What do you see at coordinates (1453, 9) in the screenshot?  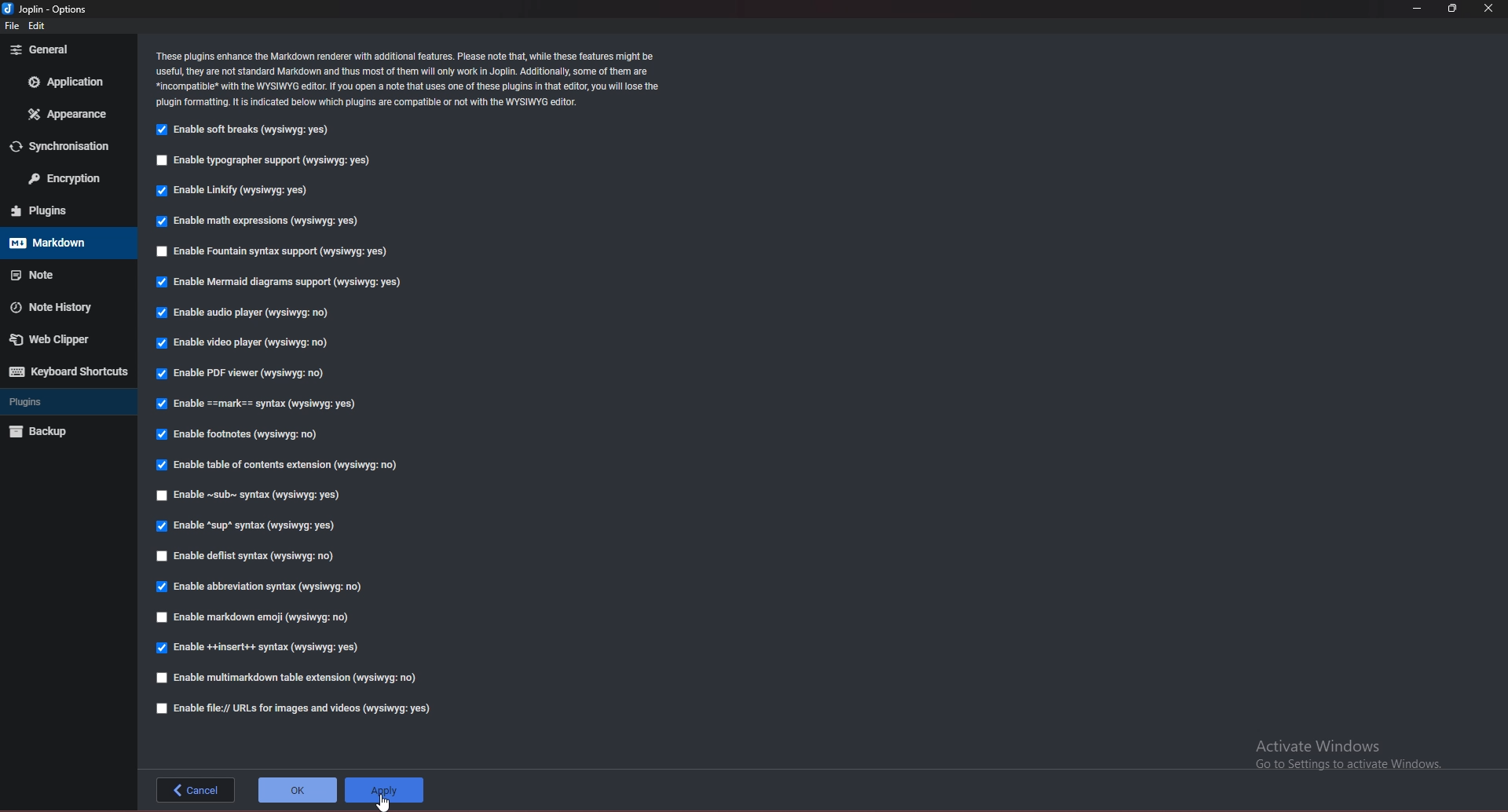 I see `resize` at bounding box center [1453, 9].